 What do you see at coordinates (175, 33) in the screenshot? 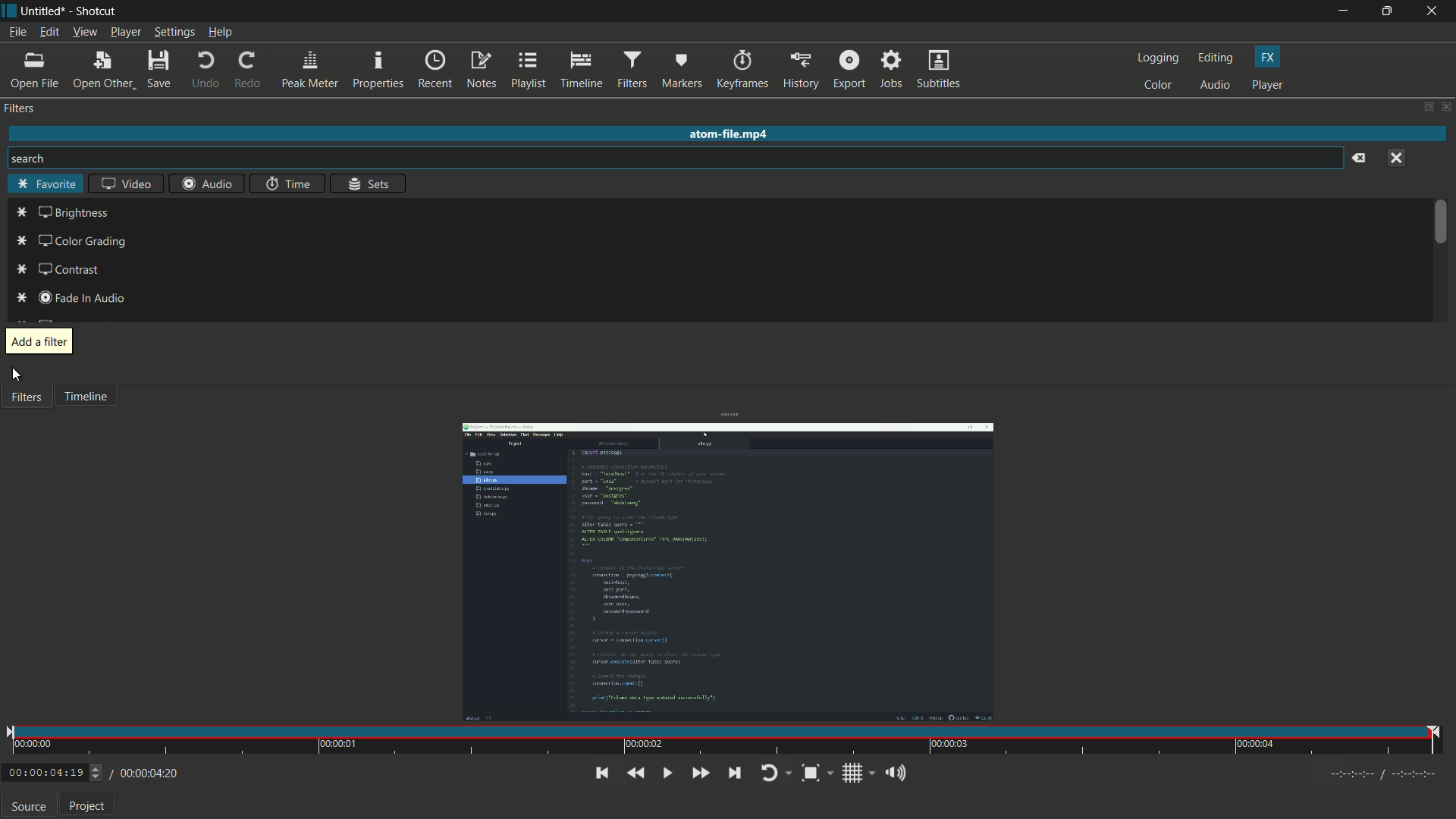
I see `settings menu` at bounding box center [175, 33].